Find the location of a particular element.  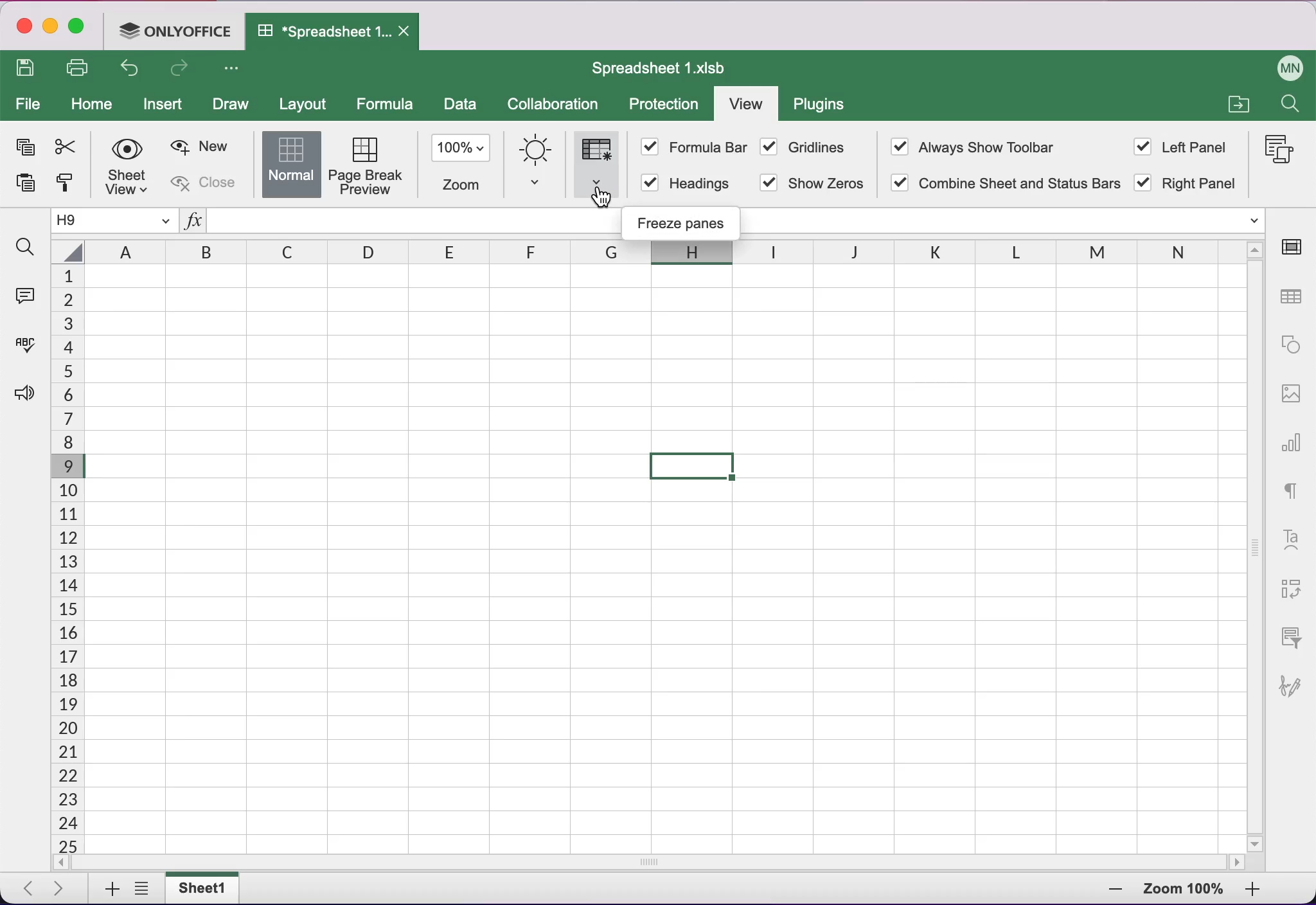

view is located at coordinates (745, 103).